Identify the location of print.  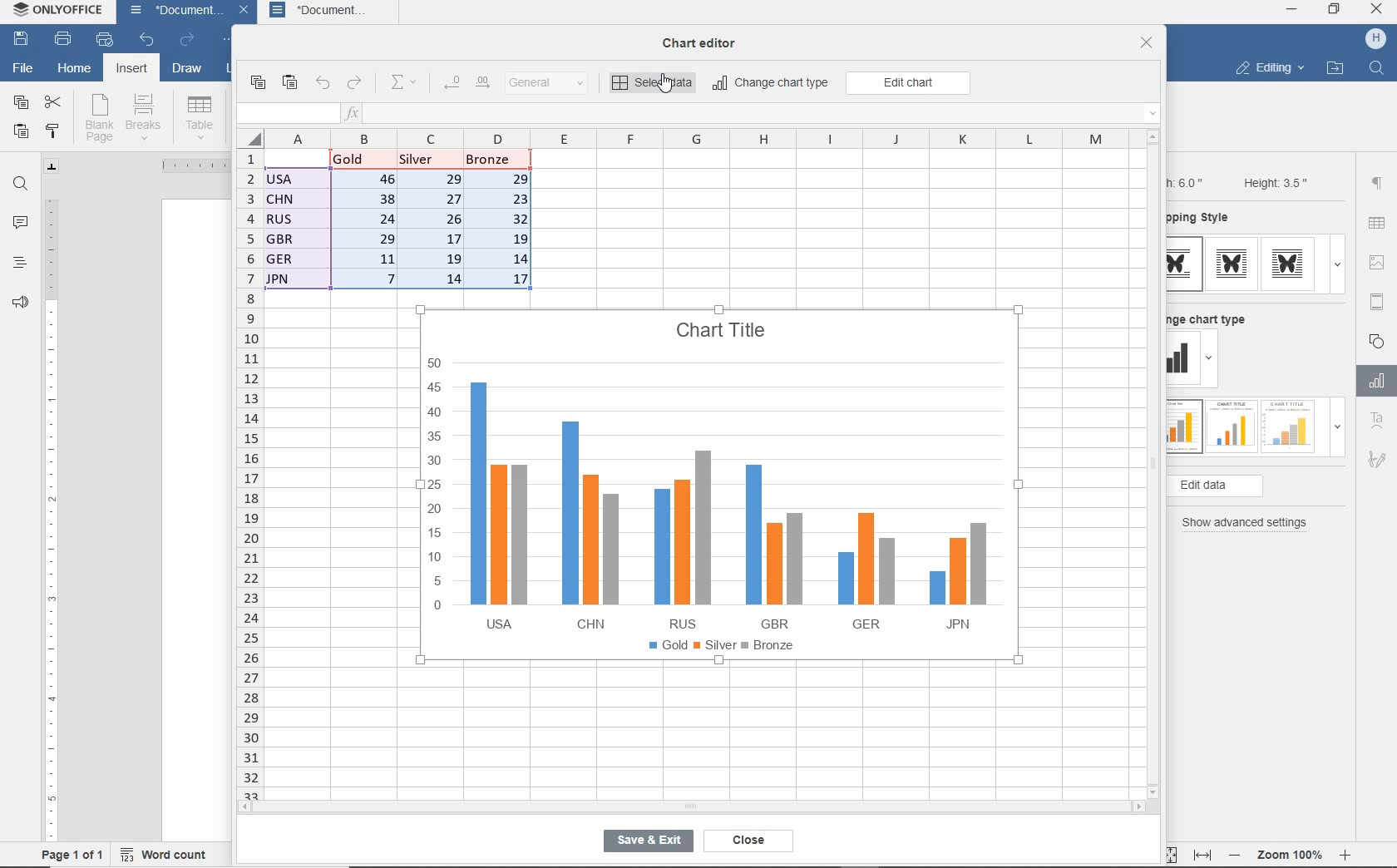
(62, 40).